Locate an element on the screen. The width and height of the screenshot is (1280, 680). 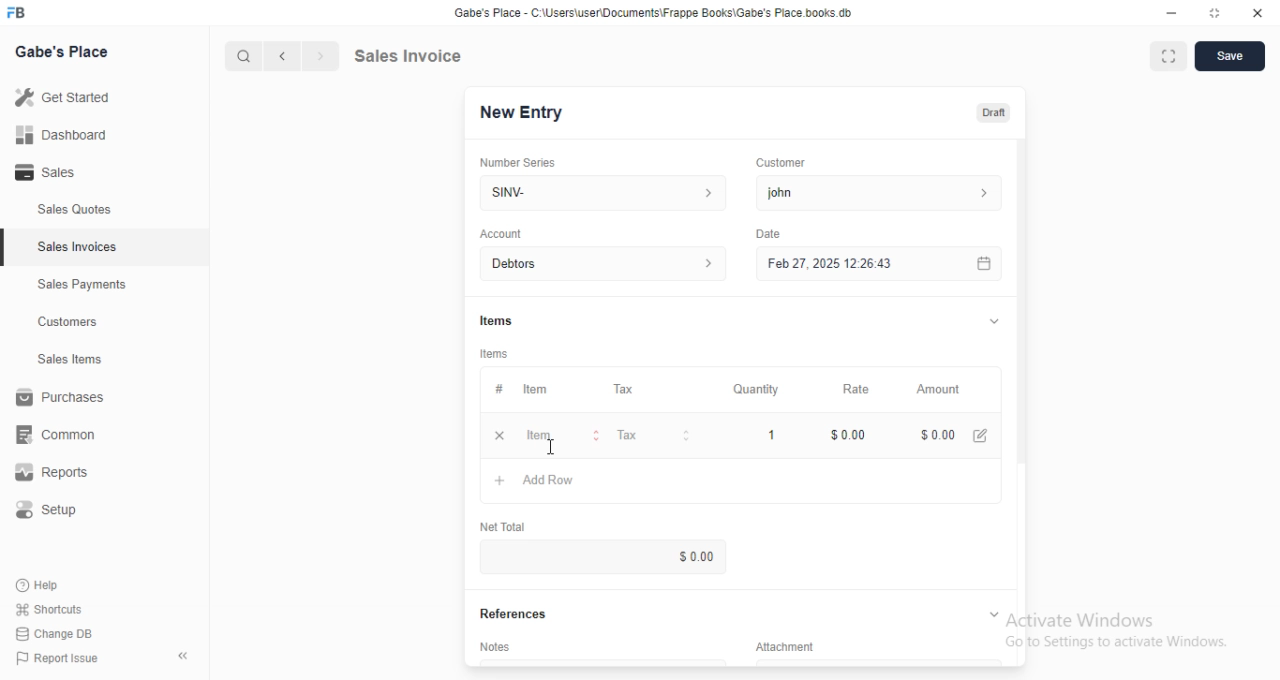
john  is located at coordinates (885, 192).